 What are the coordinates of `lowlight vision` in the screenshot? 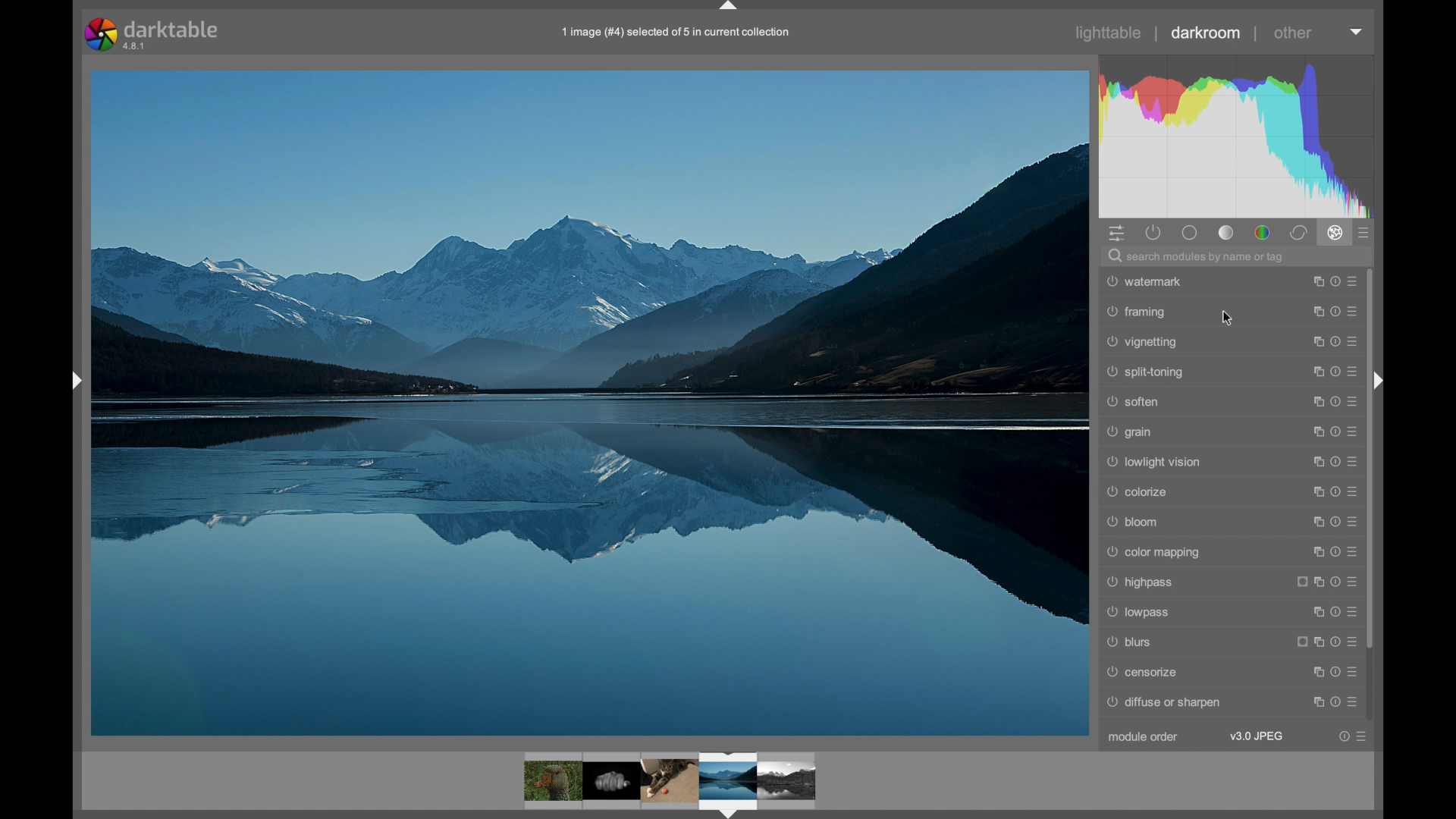 It's located at (1154, 462).